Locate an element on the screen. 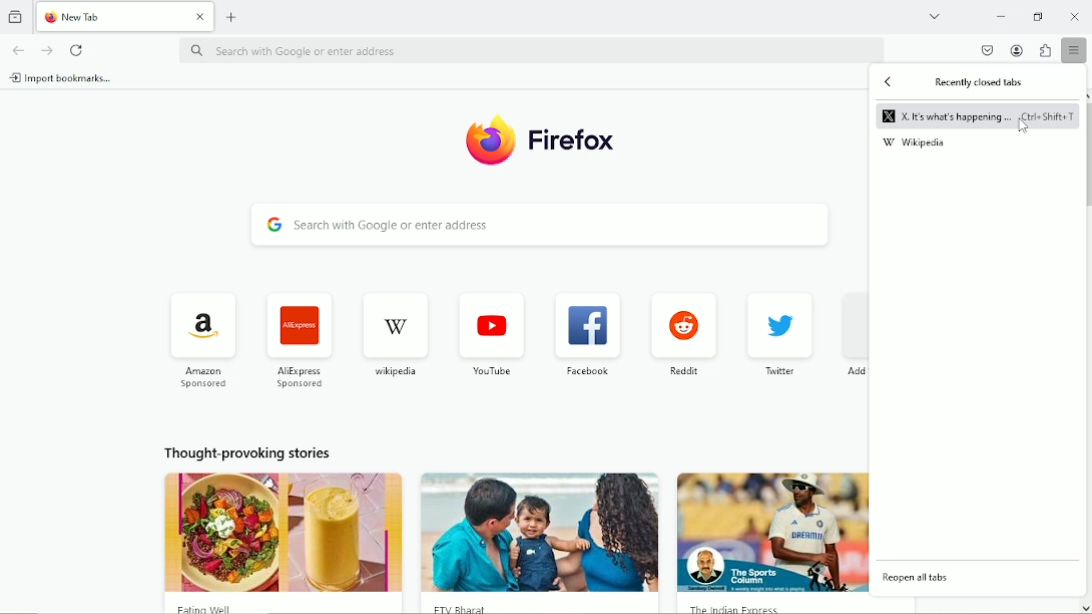  icon is located at coordinates (684, 325).